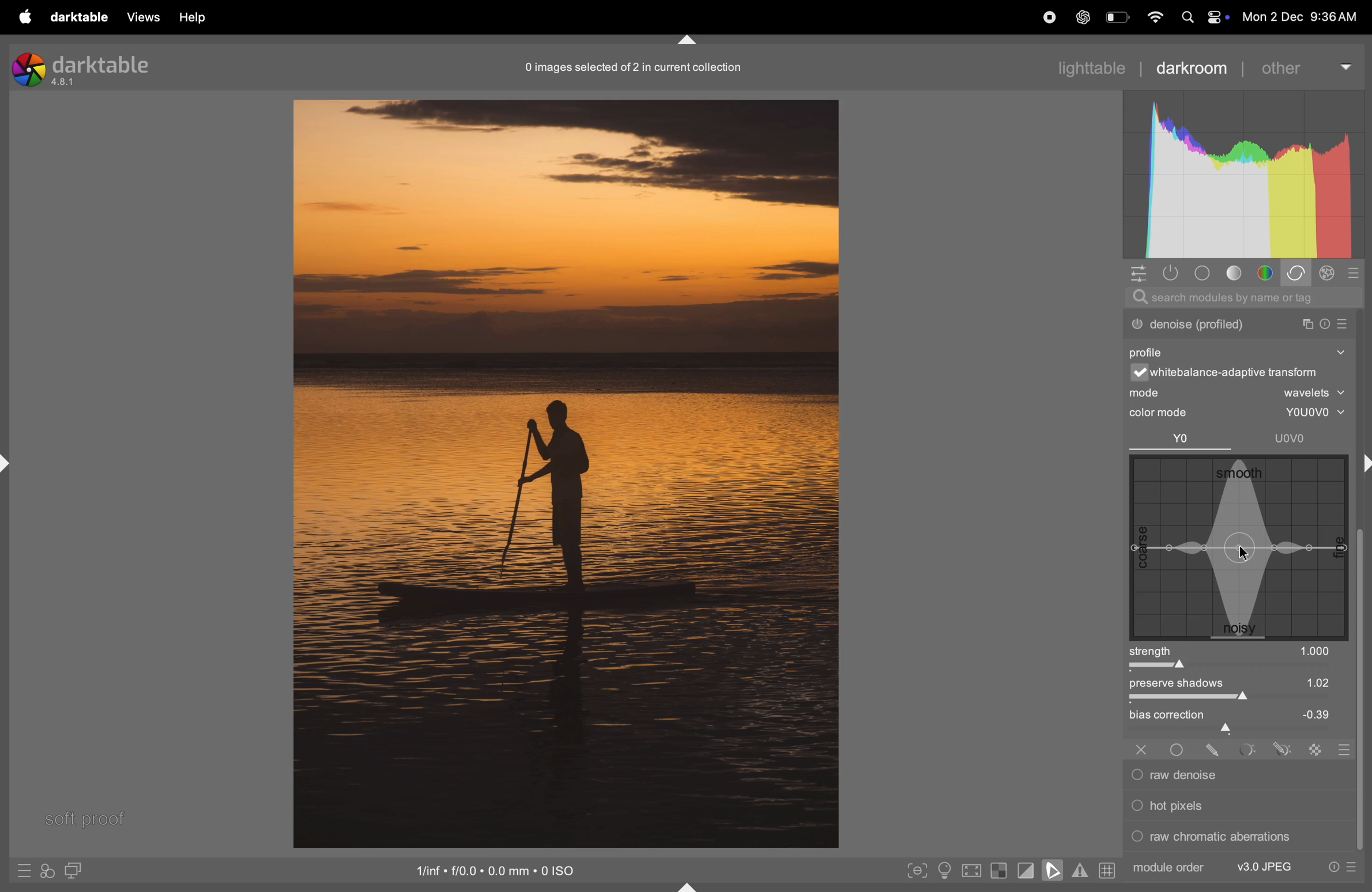 The image size is (1372, 892). Describe the element at coordinates (1299, 274) in the screenshot. I see `correct` at that location.